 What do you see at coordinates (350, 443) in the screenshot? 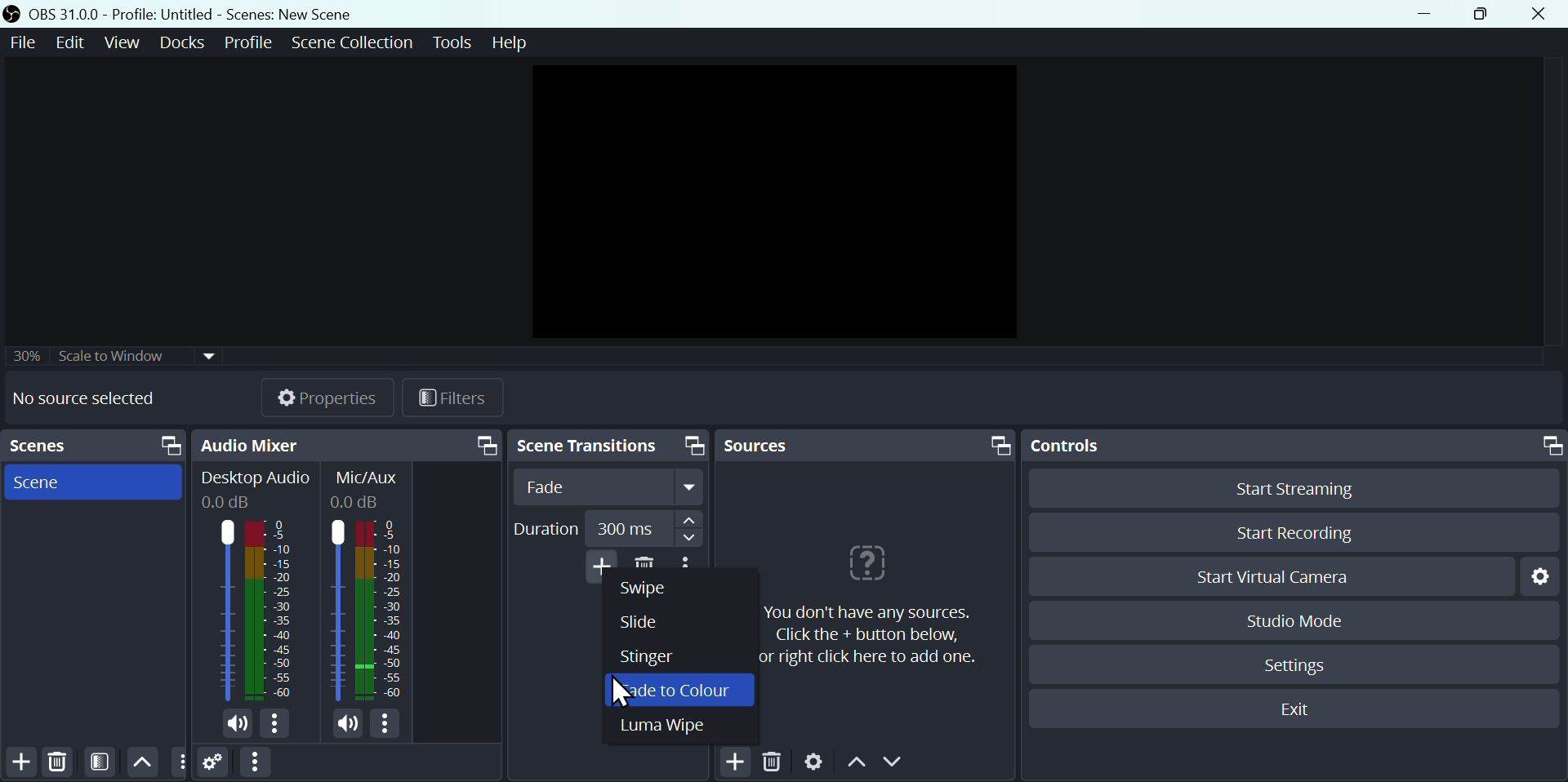
I see `Audio mixer` at bounding box center [350, 443].